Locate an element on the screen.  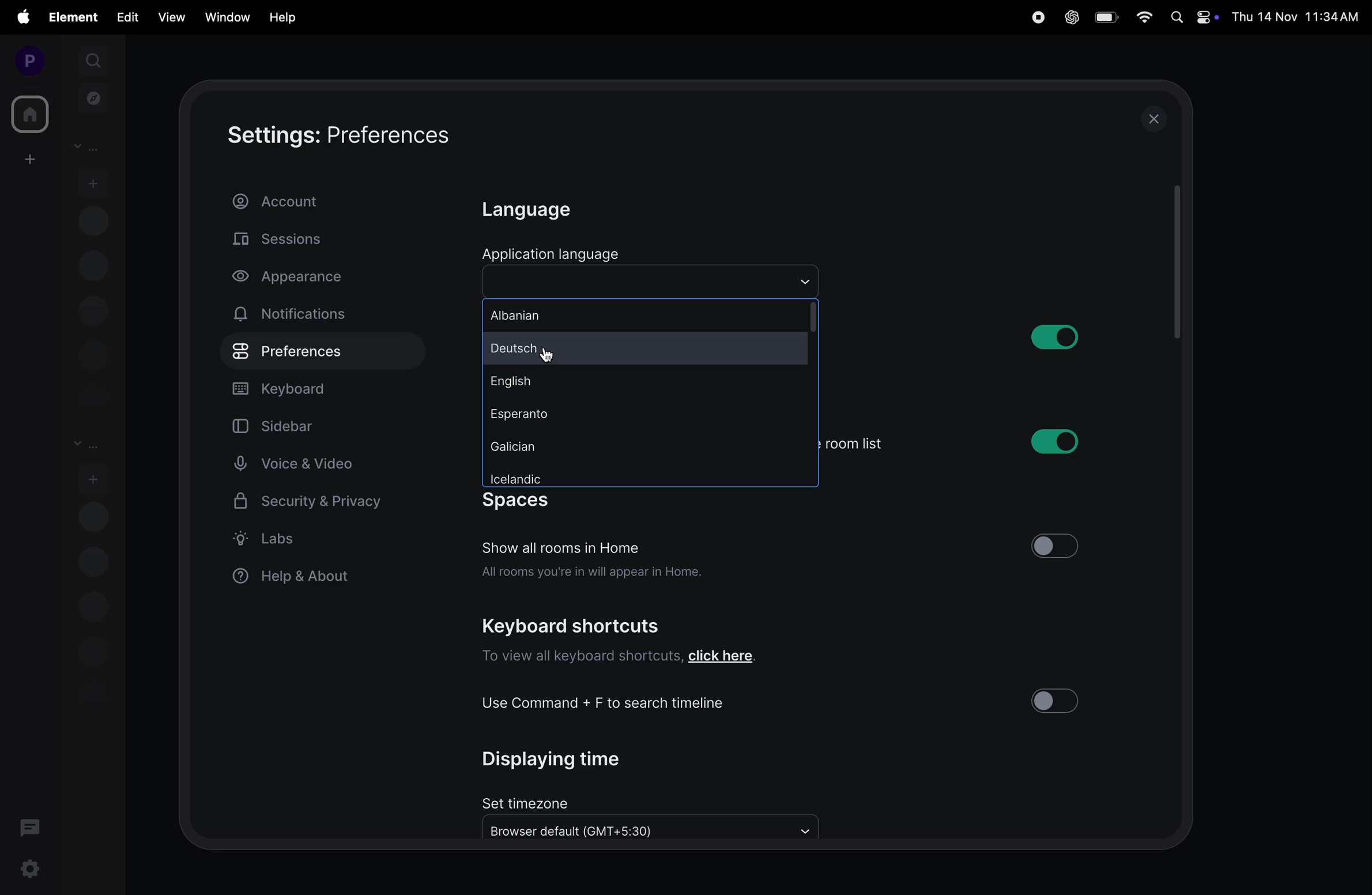
battery is located at coordinates (1105, 17).